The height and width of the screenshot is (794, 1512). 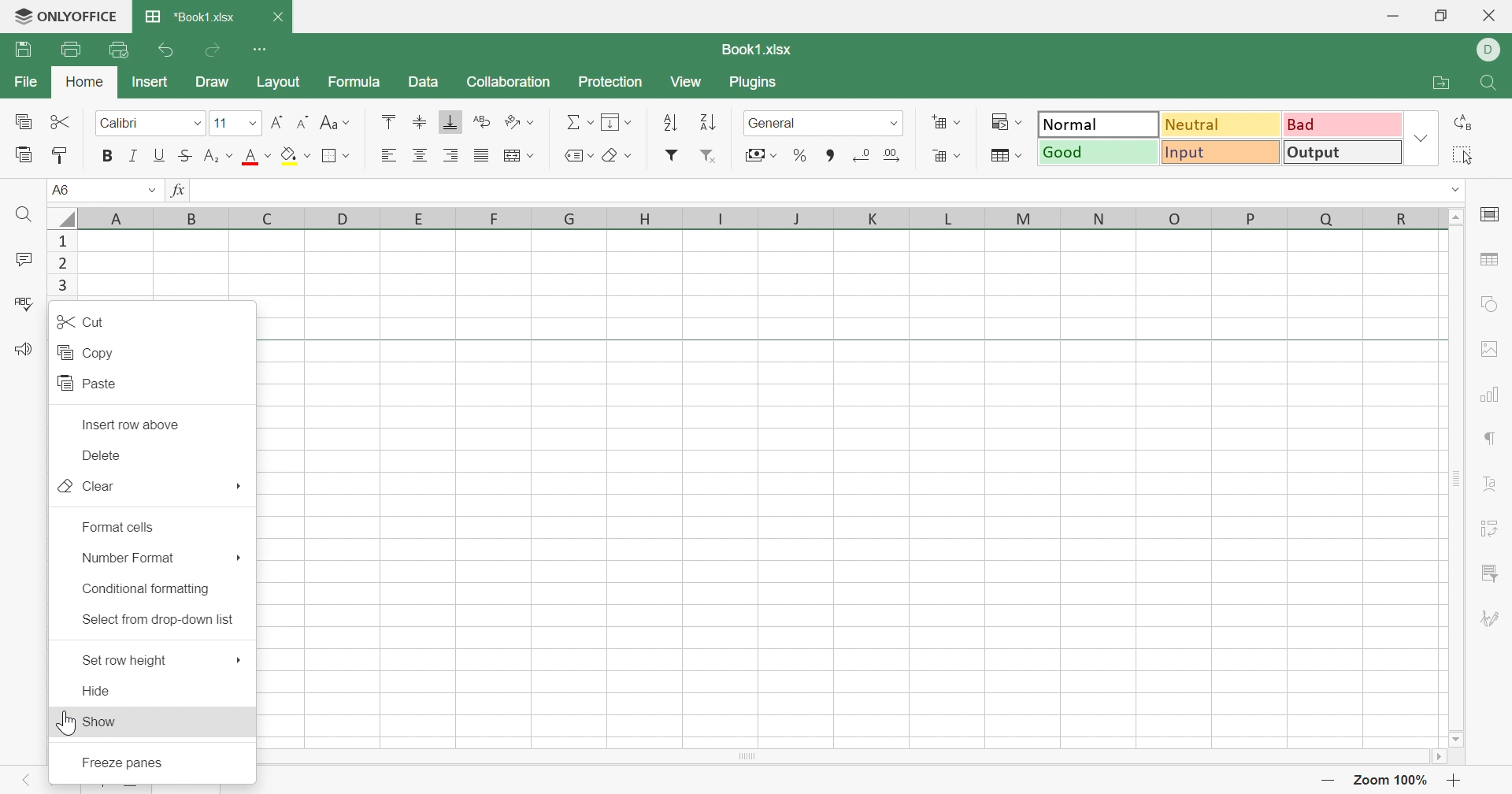 I want to click on Drop Down, so click(x=196, y=124).